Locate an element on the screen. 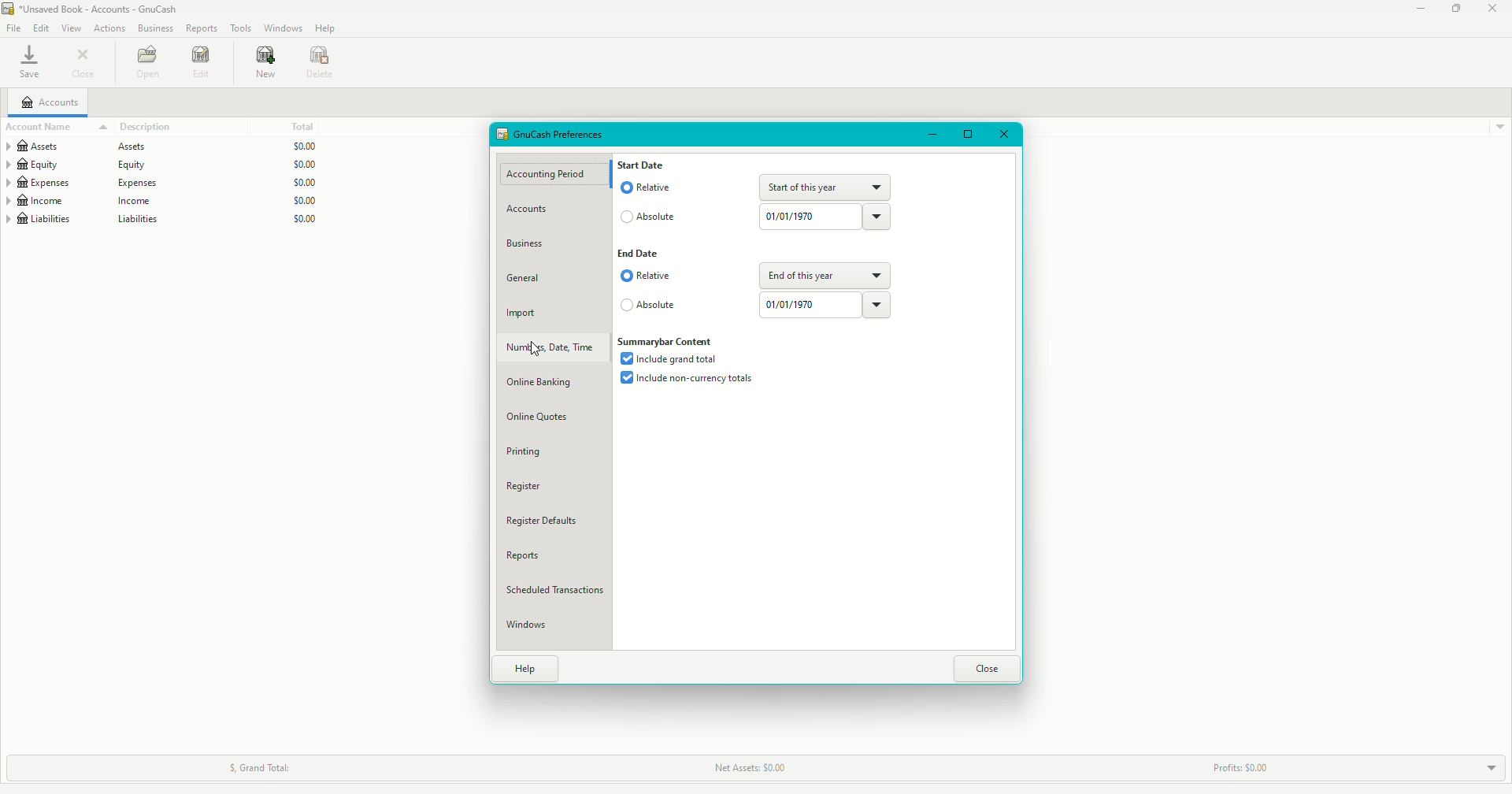  Accounts is located at coordinates (532, 211).